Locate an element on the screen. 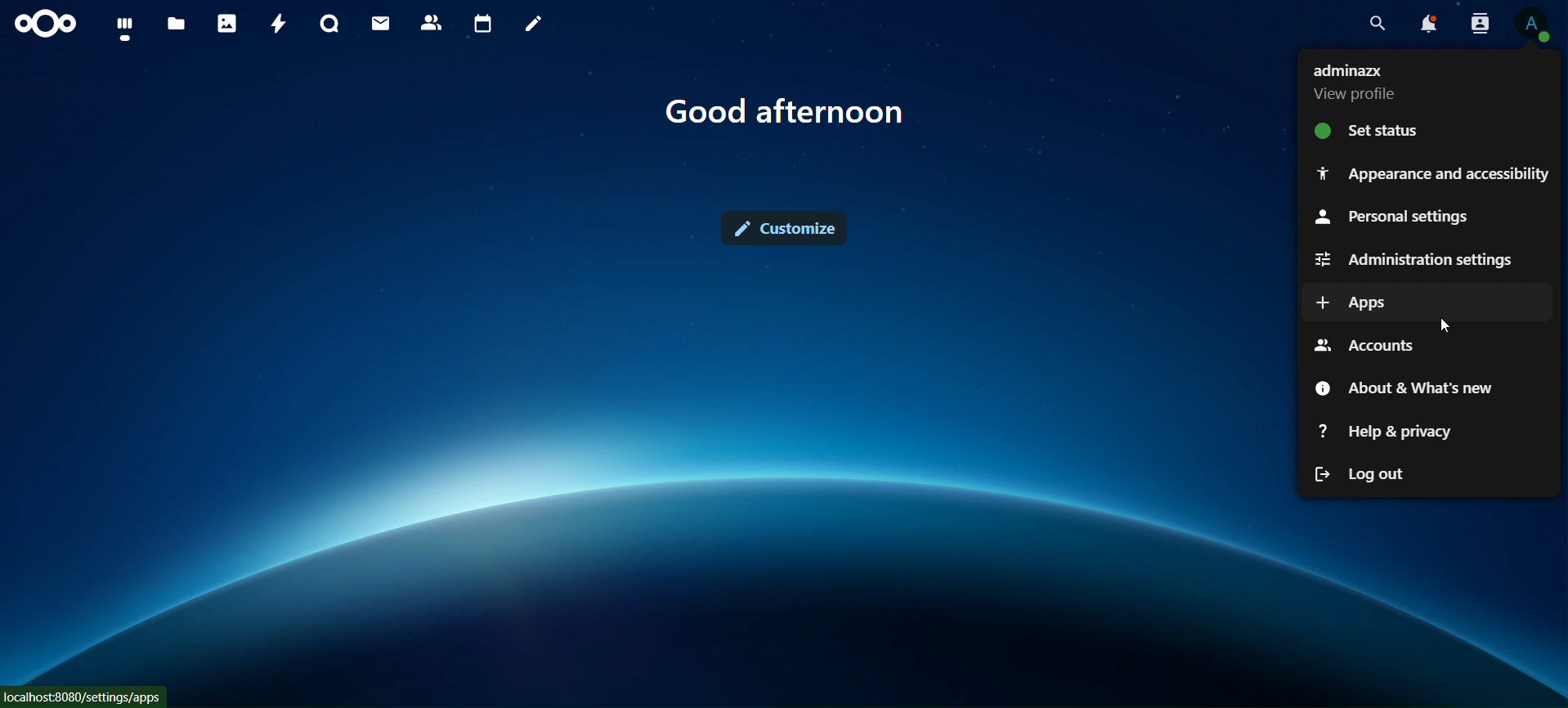 The image size is (1568, 708). localhost:8000/settings/apps is located at coordinates (83, 696).